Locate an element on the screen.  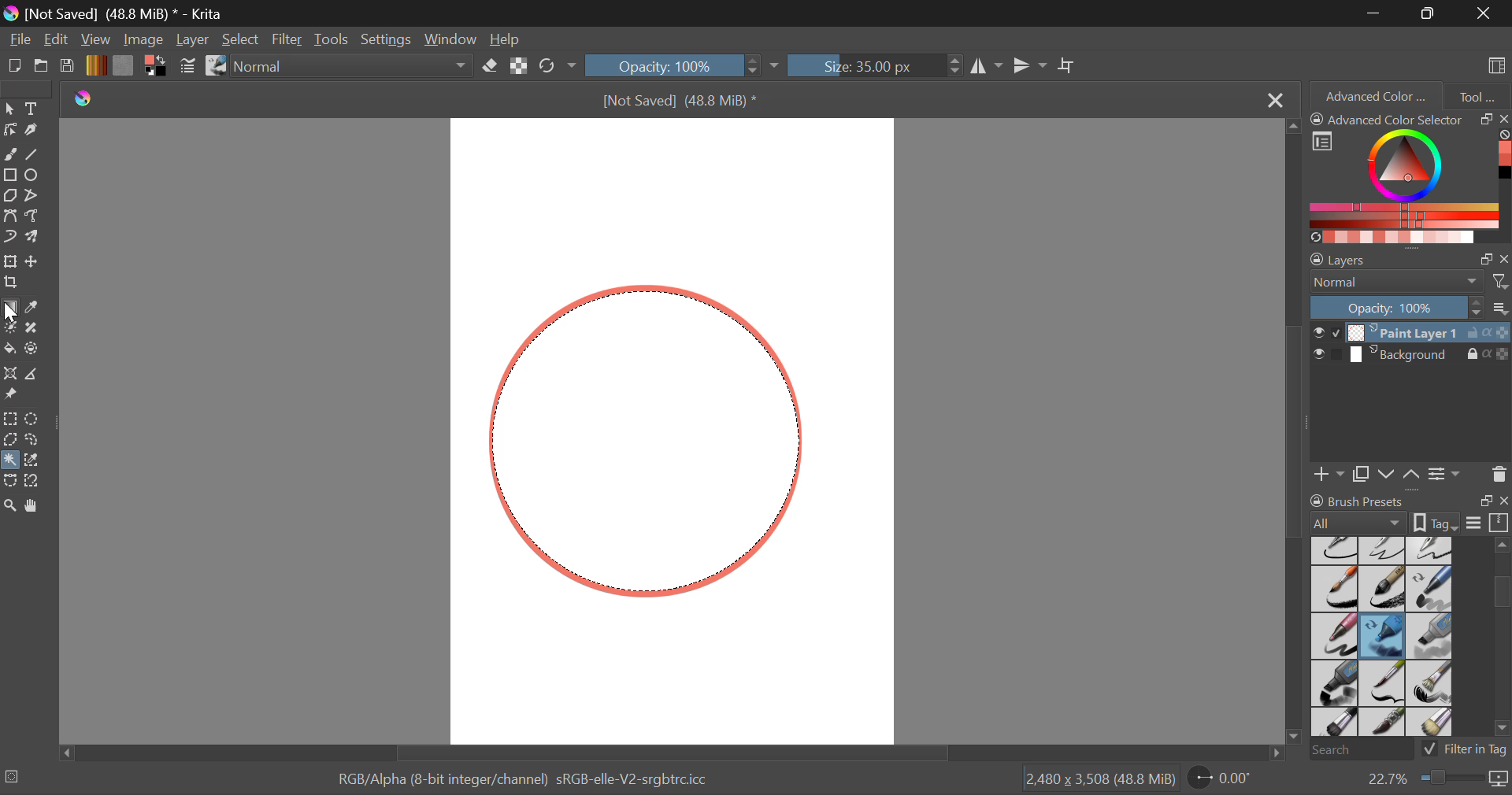
Colors in Use is located at coordinates (154, 66).